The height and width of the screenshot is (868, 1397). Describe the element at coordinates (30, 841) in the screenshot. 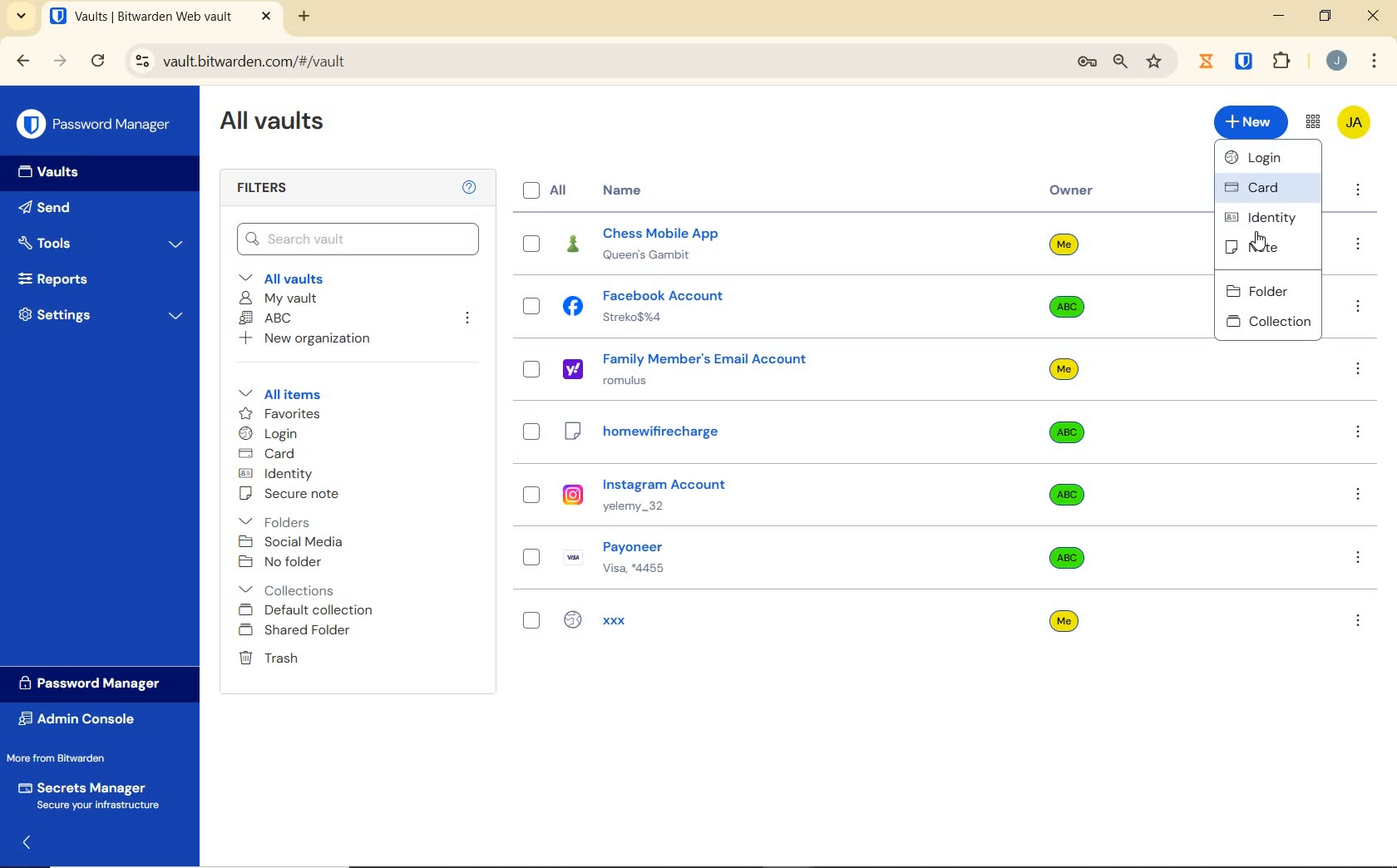

I see `expand/collapse` at that location.